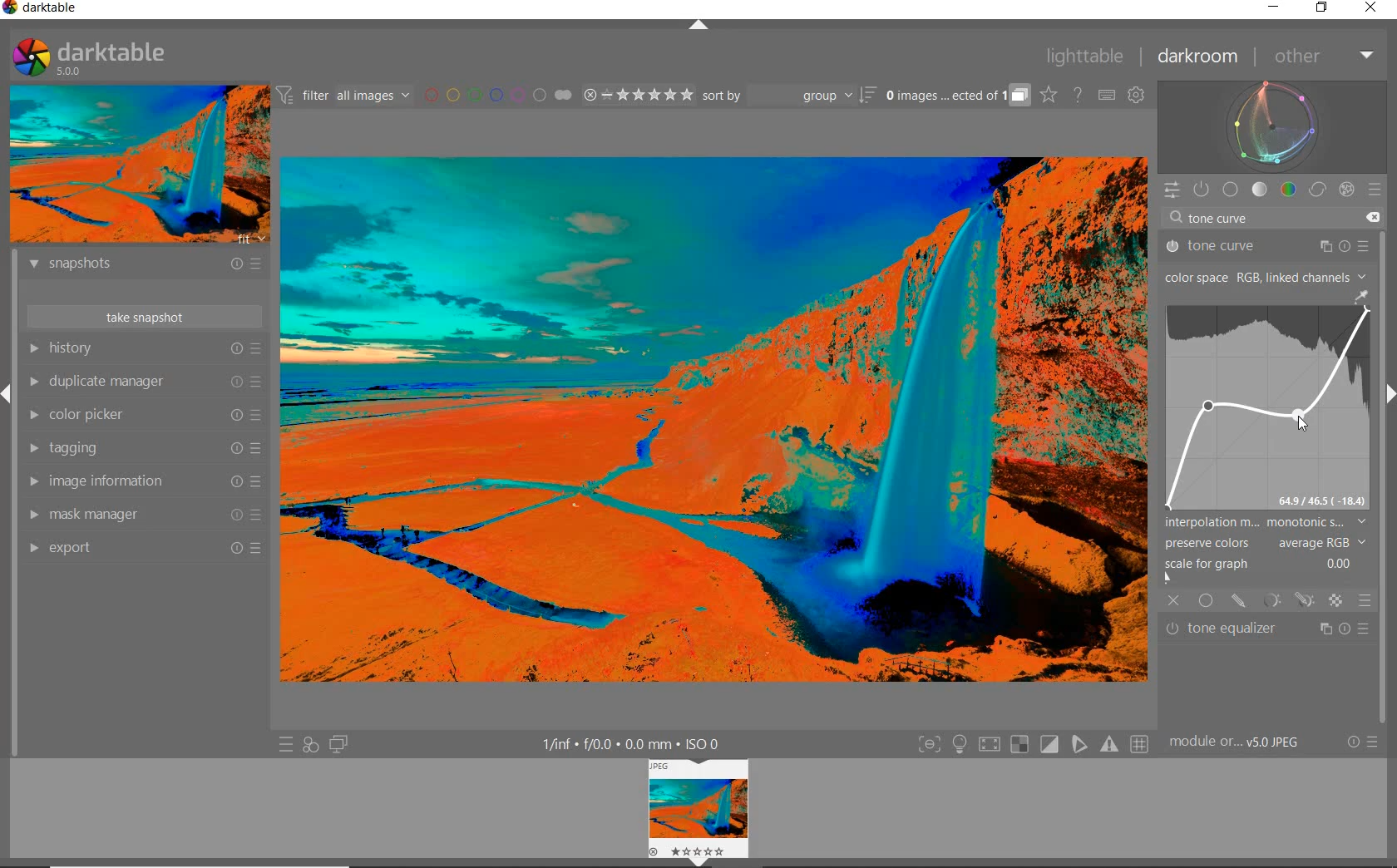 The image size is (1397, 868). I want to click on EXPAND GROUPED IMAGES, so click(958, 96).